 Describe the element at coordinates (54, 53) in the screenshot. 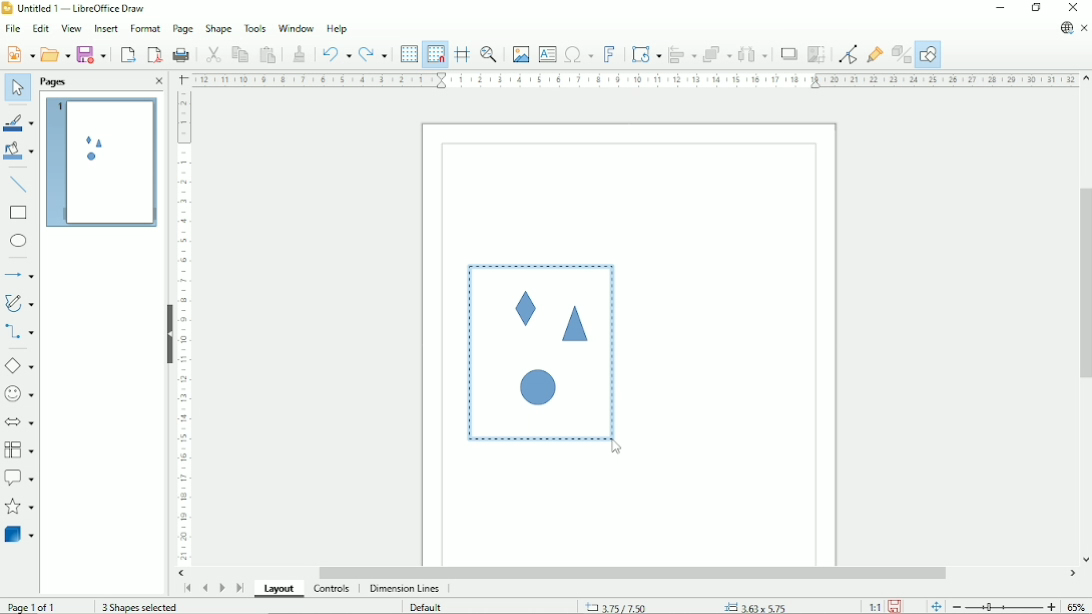

I see `Open` at that location.